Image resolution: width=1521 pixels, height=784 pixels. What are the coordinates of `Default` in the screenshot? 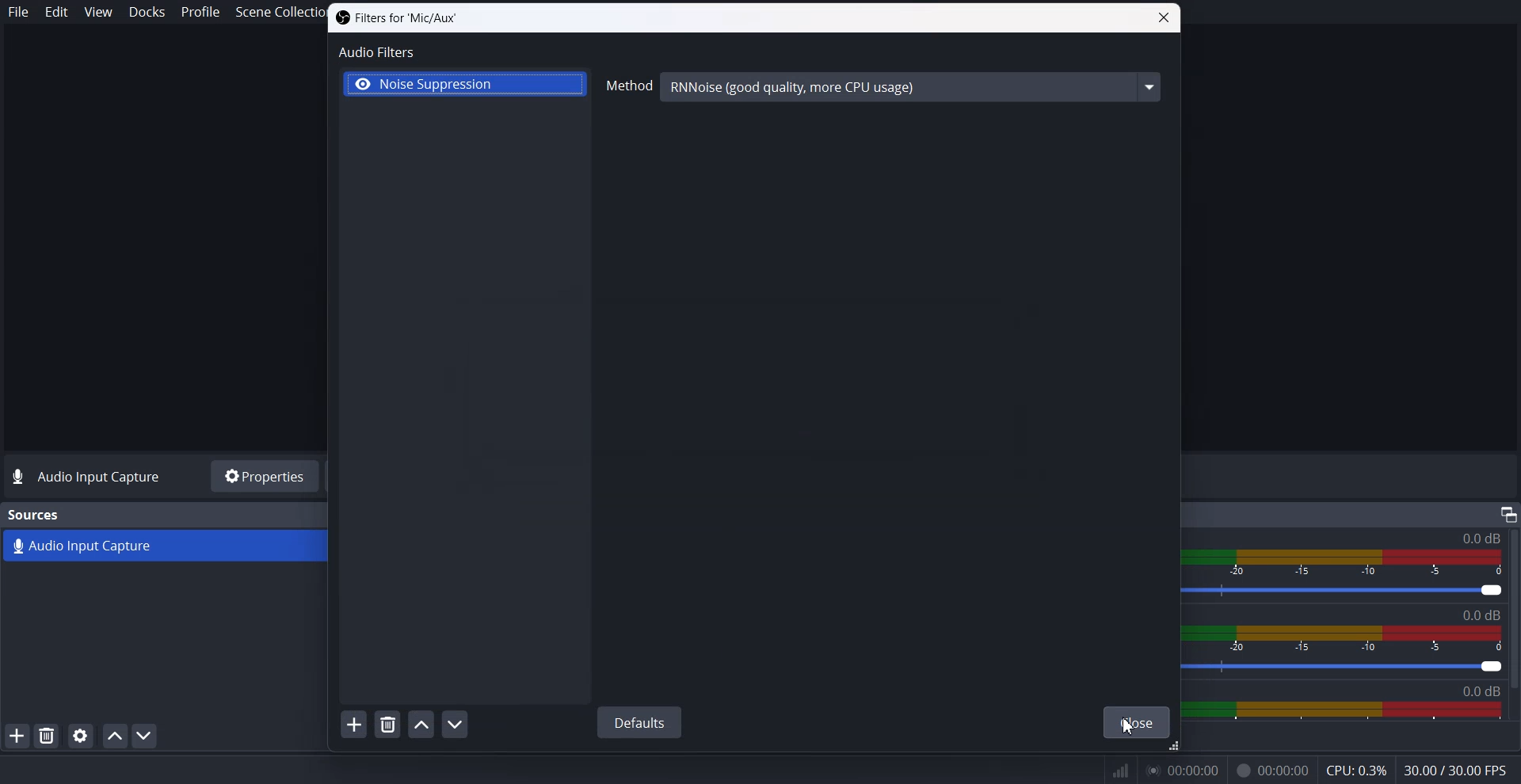 It's located at (639, 721).